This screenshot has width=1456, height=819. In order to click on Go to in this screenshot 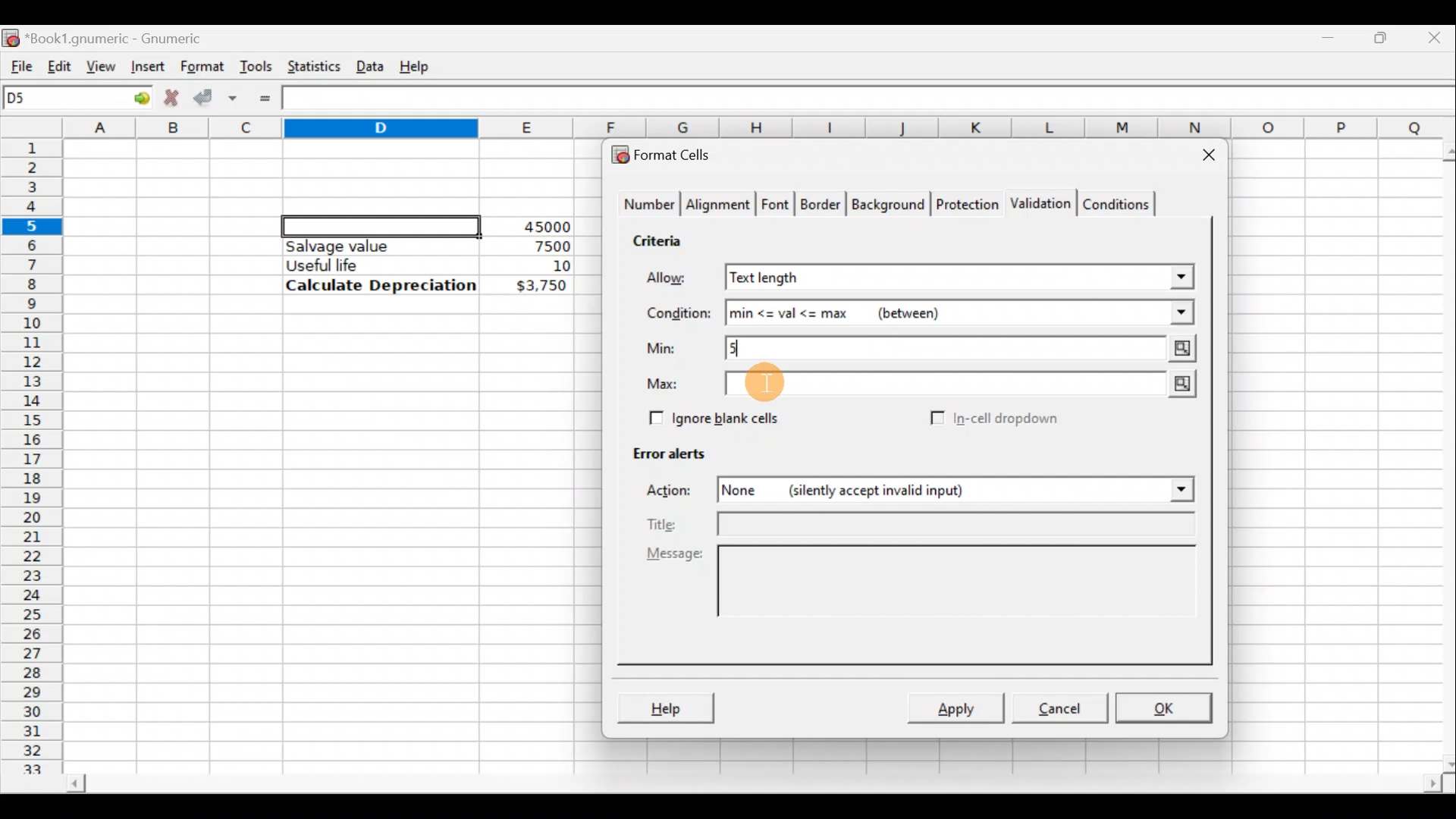, I will do `click(136, 99)`.